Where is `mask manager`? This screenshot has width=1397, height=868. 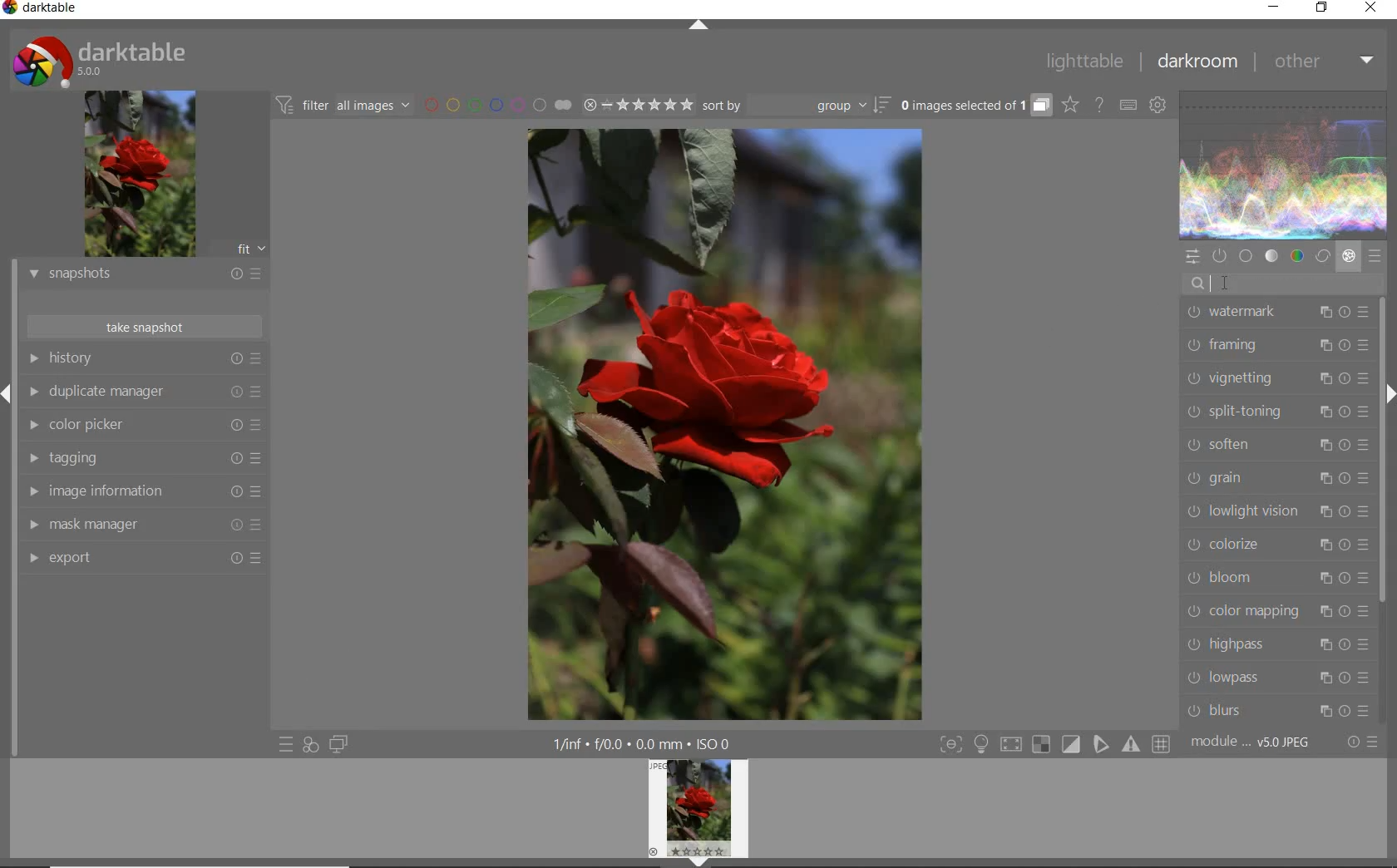
mask manager is located at coordinates (142, 525).